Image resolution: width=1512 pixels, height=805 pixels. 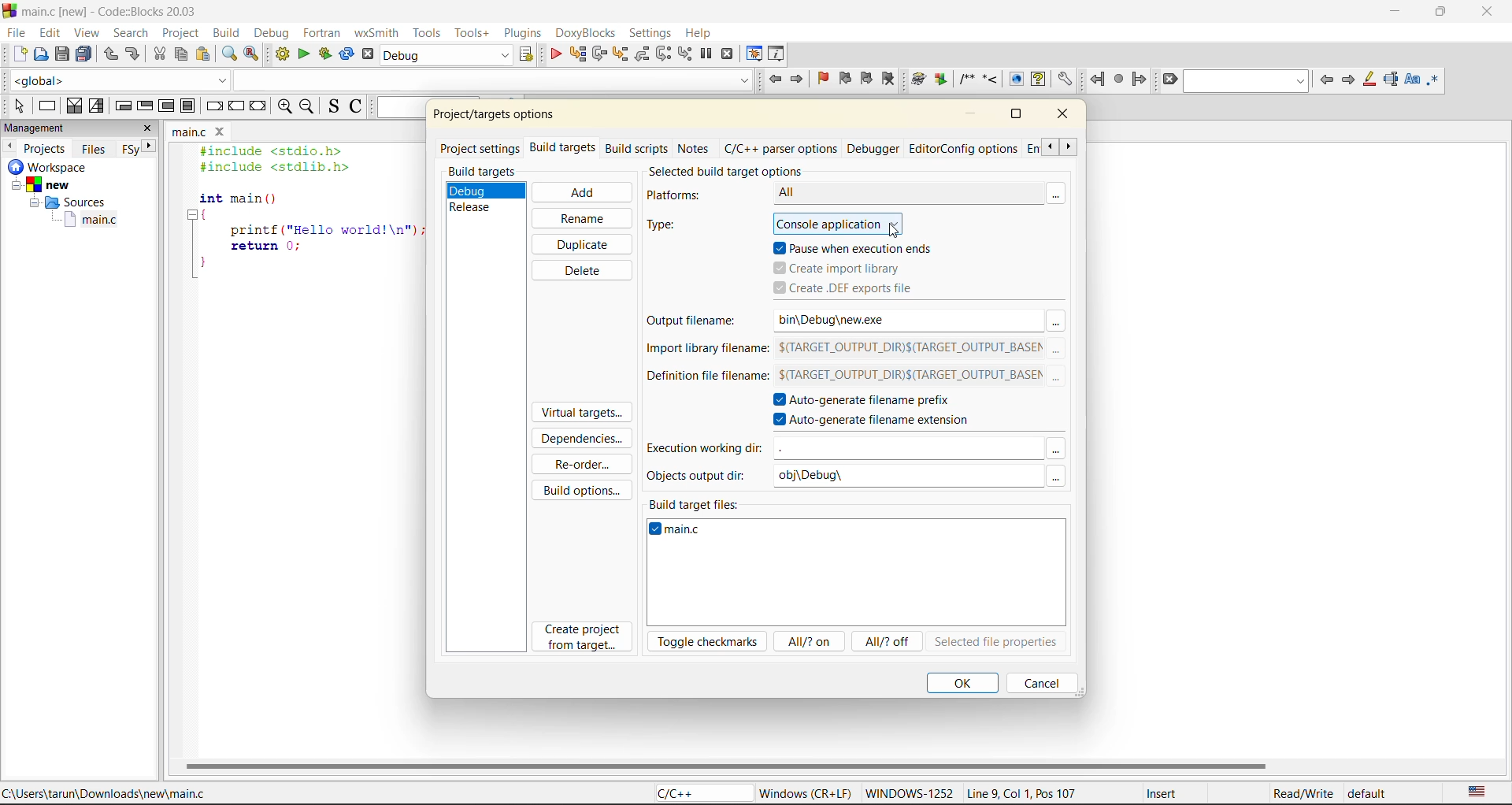 I want to click on create .def files, so click(x=839, y=289).